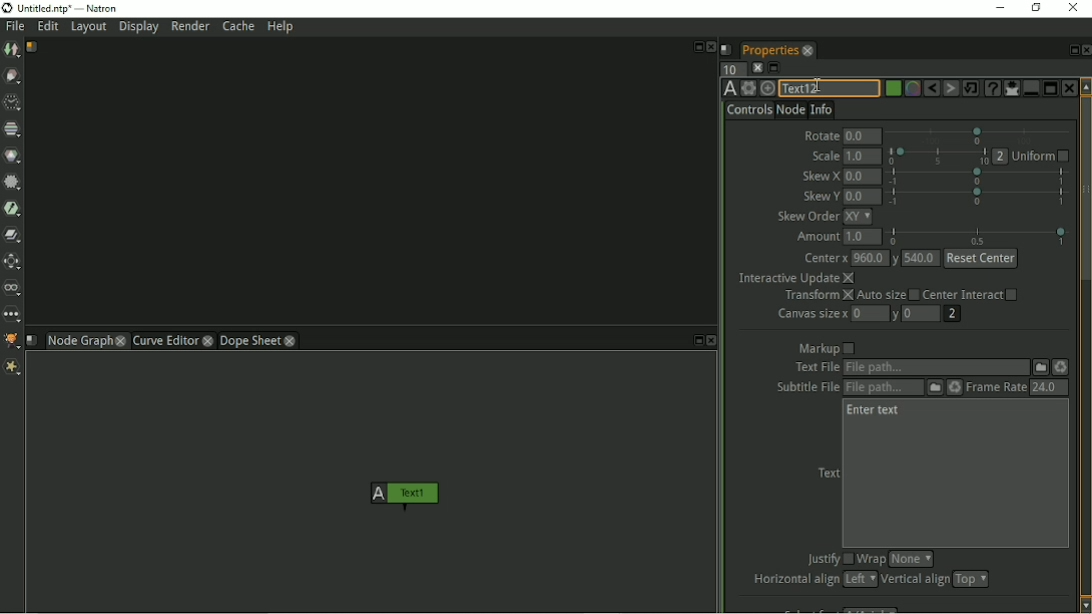 This screenshot has height=614, width=1092. I want to click on selection bar, so click(978, 236).